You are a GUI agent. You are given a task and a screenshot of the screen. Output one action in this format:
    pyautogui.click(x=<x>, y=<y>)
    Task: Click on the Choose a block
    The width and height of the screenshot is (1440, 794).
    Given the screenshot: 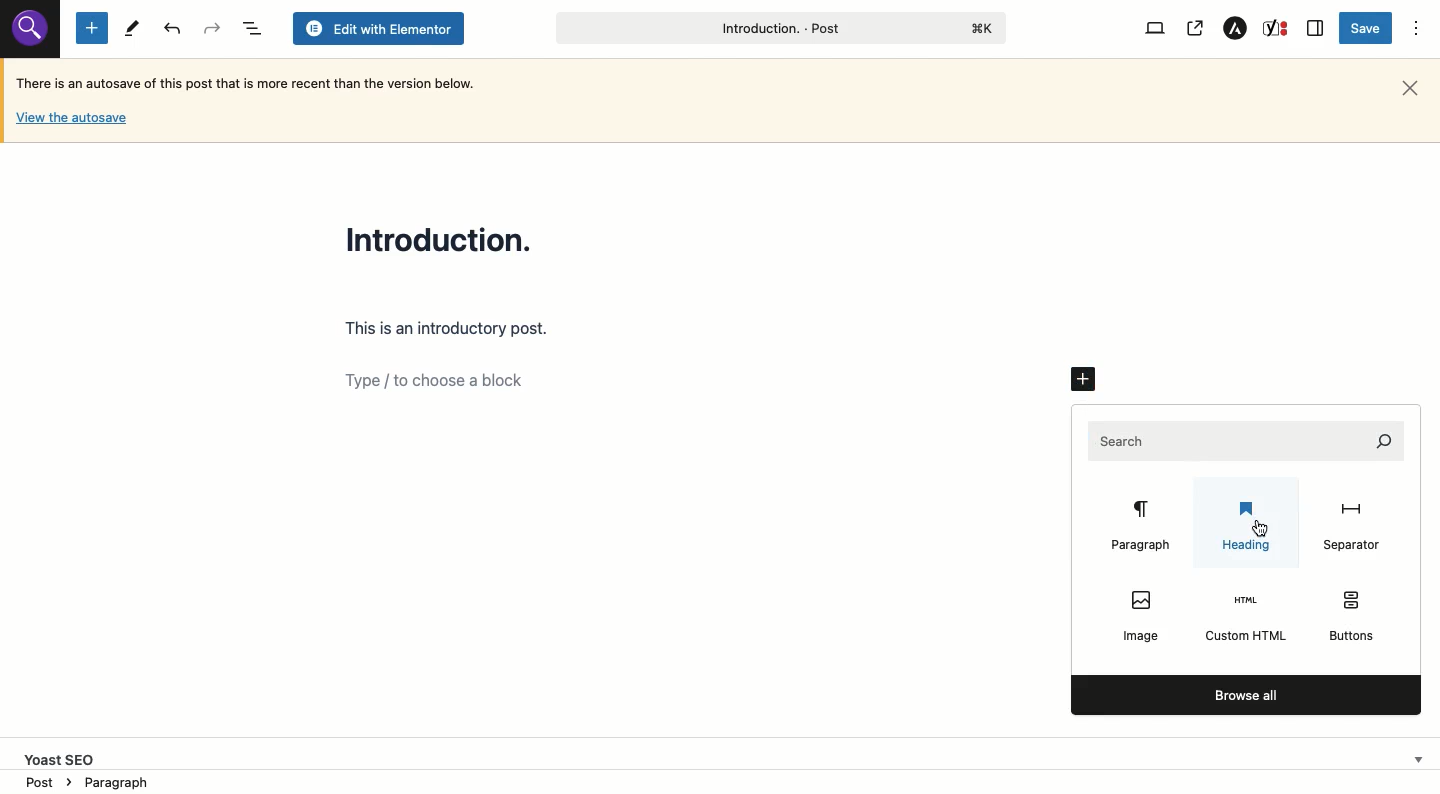 What is the action you would take?
    pyautogui.click(x=699, y=379)
    